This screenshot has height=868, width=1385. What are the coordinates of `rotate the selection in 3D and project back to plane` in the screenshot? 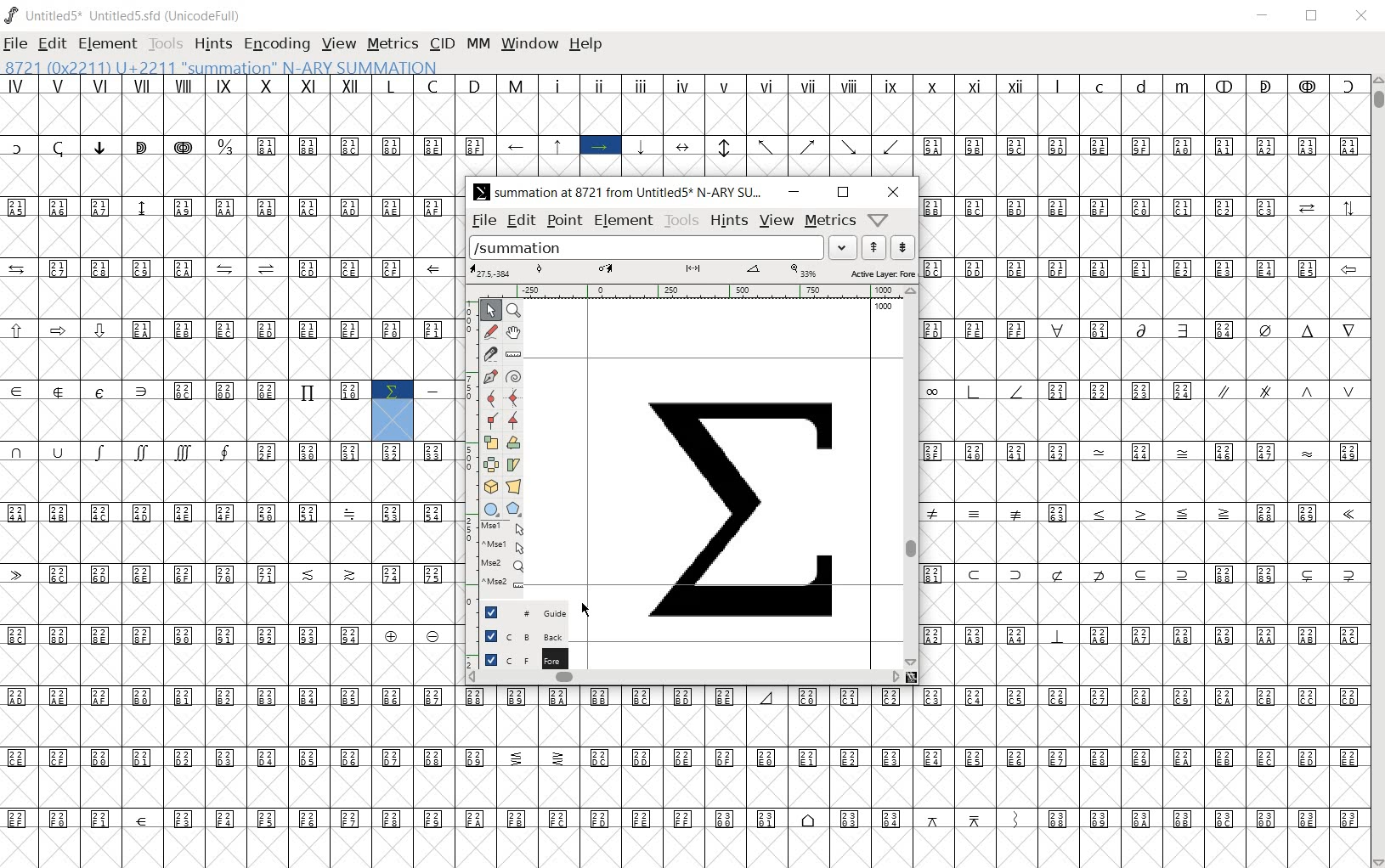 It's located at (491, 486).